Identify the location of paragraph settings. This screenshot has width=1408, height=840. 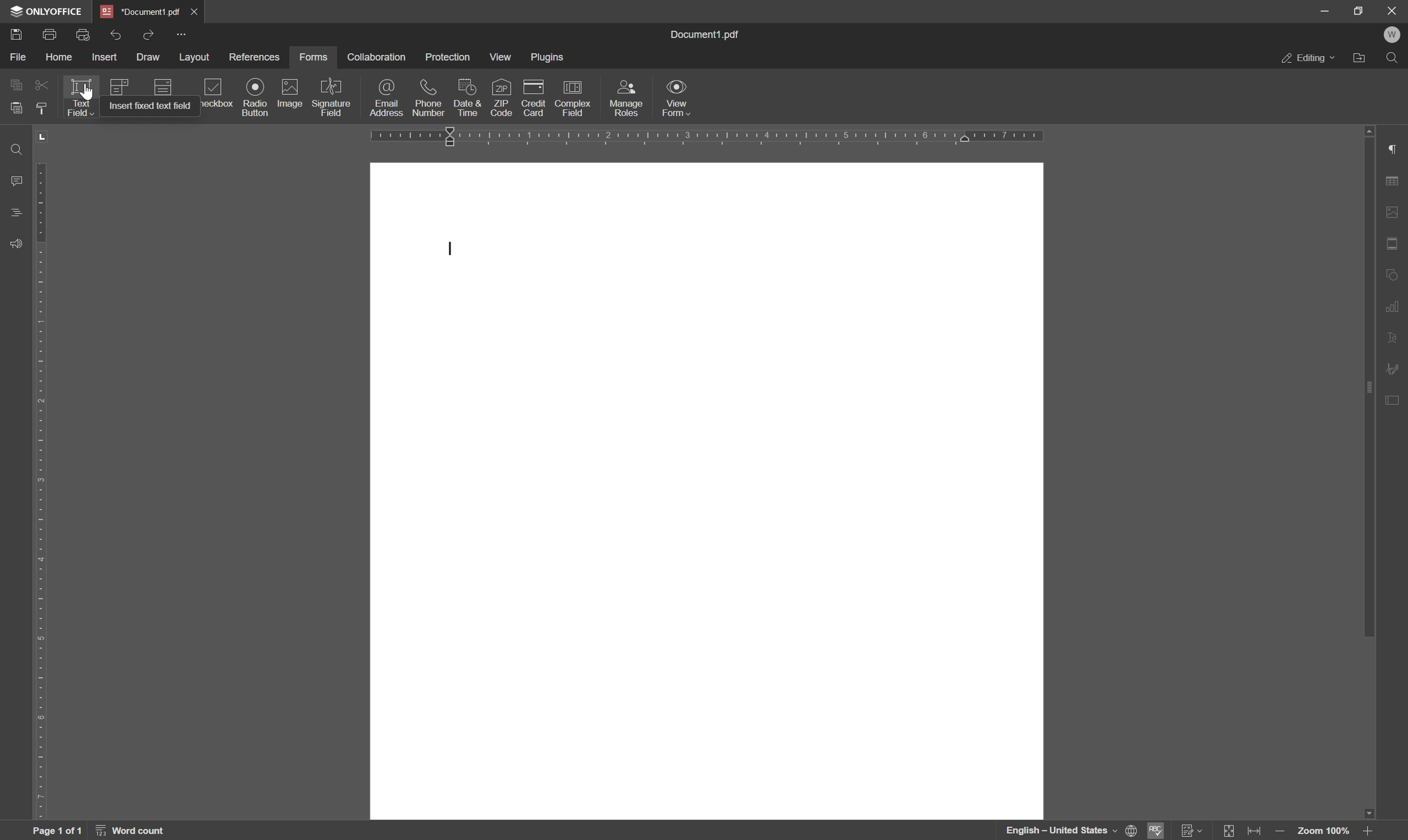
(1396, 148).